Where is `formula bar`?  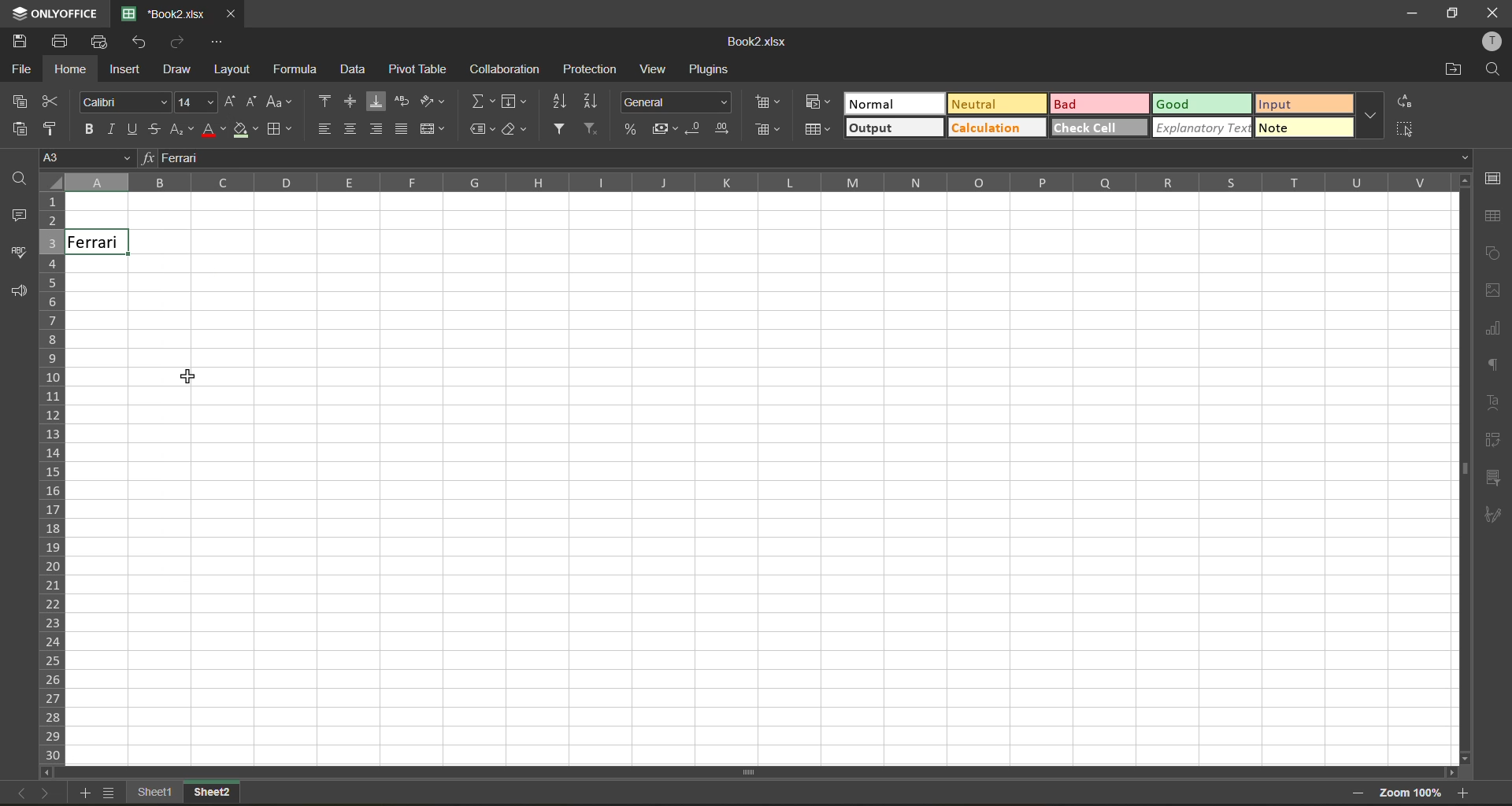
formula bar is located at coordinates (799, 157).